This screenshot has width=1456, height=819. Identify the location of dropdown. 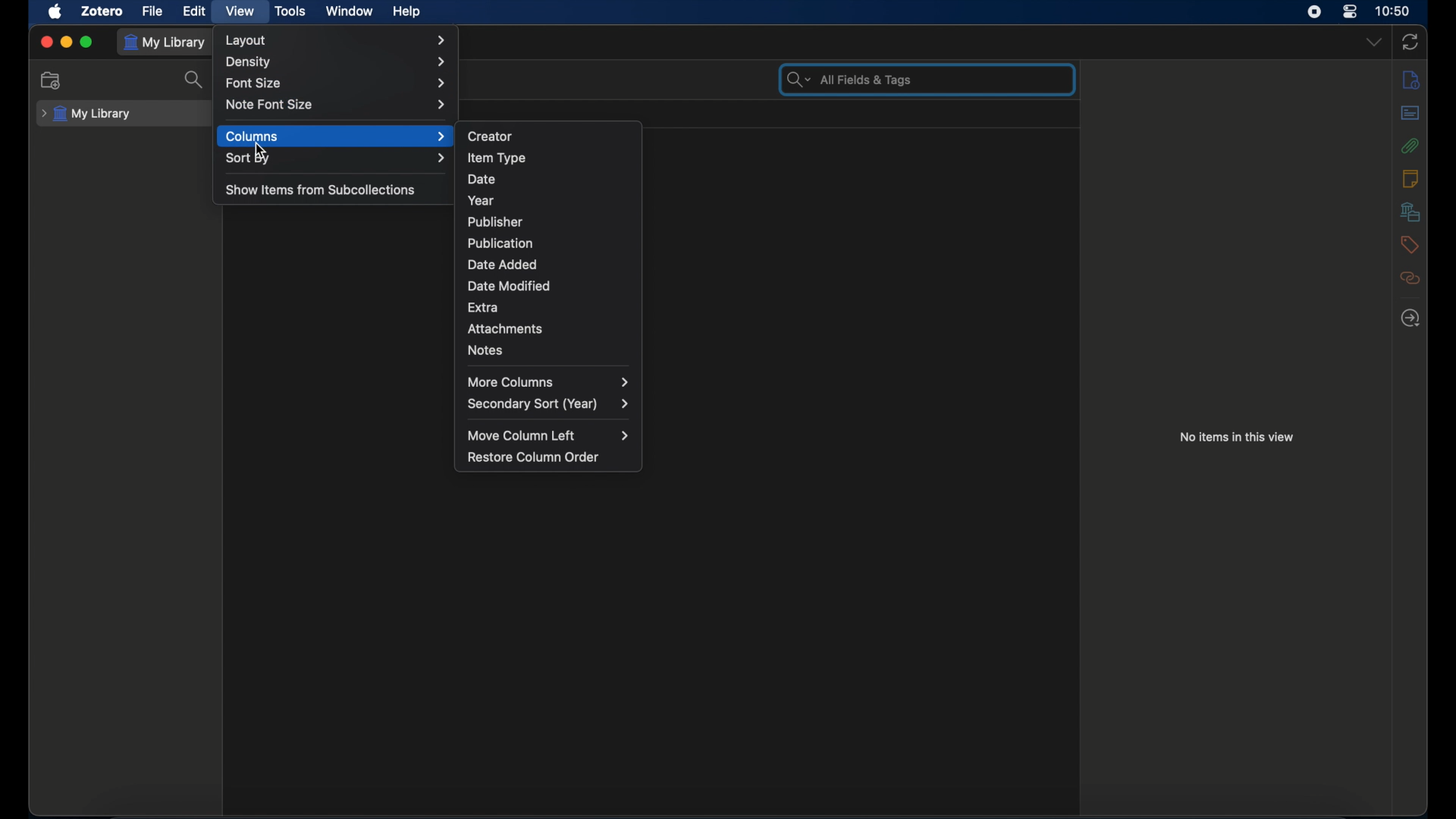
(1374, 41).